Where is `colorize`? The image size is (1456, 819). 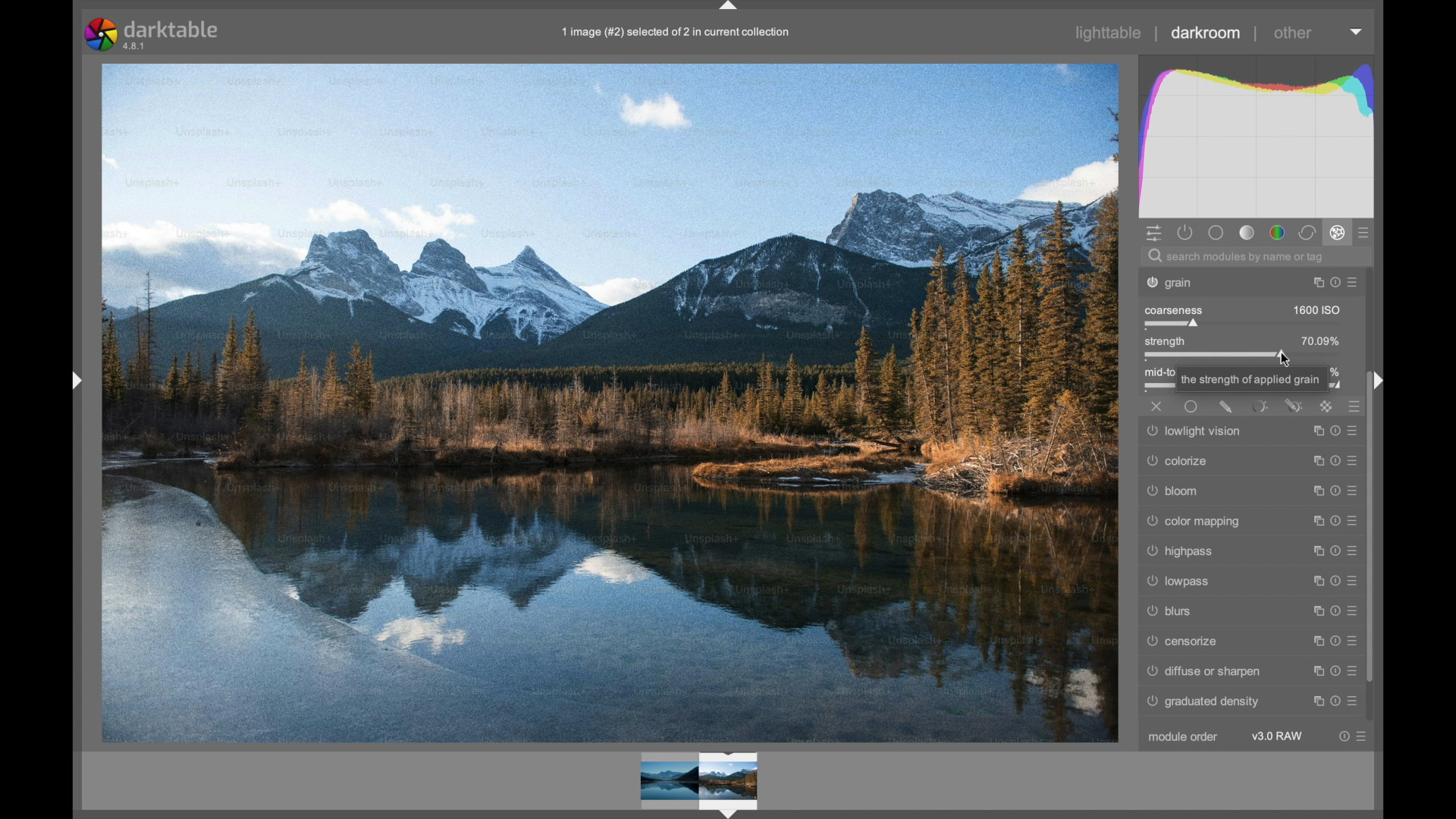 colorize is located at coordinates (1180, 460).